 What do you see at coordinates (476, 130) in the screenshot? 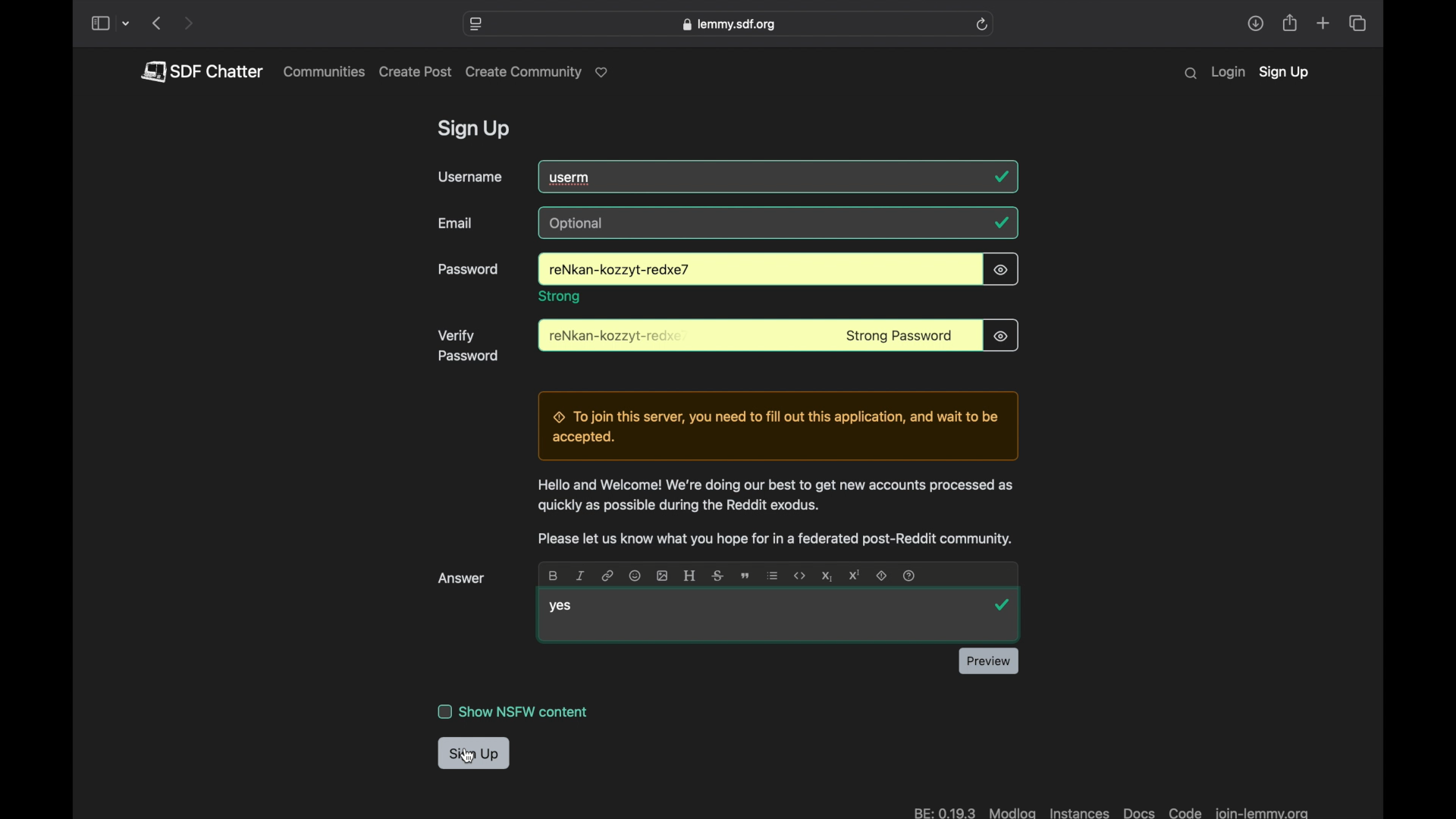
I see `sign up` at bounding box center [476, 130].